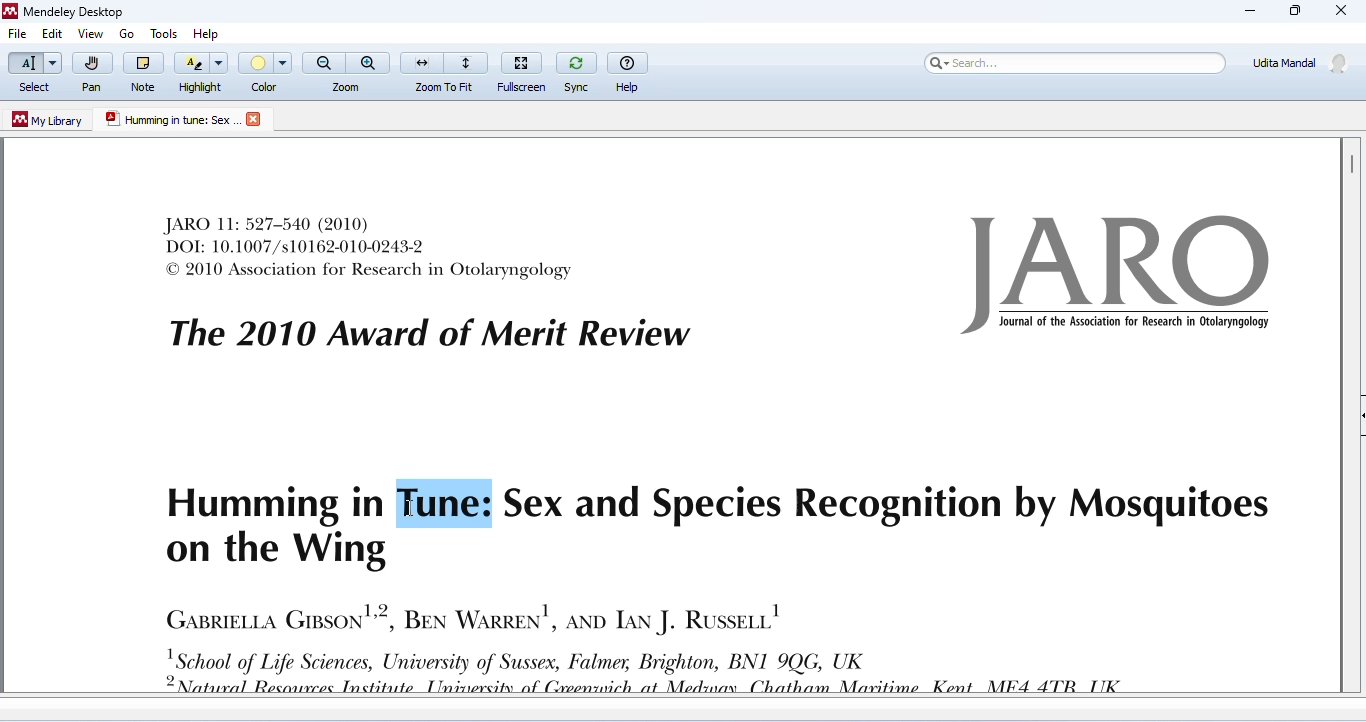 Image resolution: width=1366 pixels, height=722 pixels. I want to click on Mendeley Desktop, so click(63, 13).